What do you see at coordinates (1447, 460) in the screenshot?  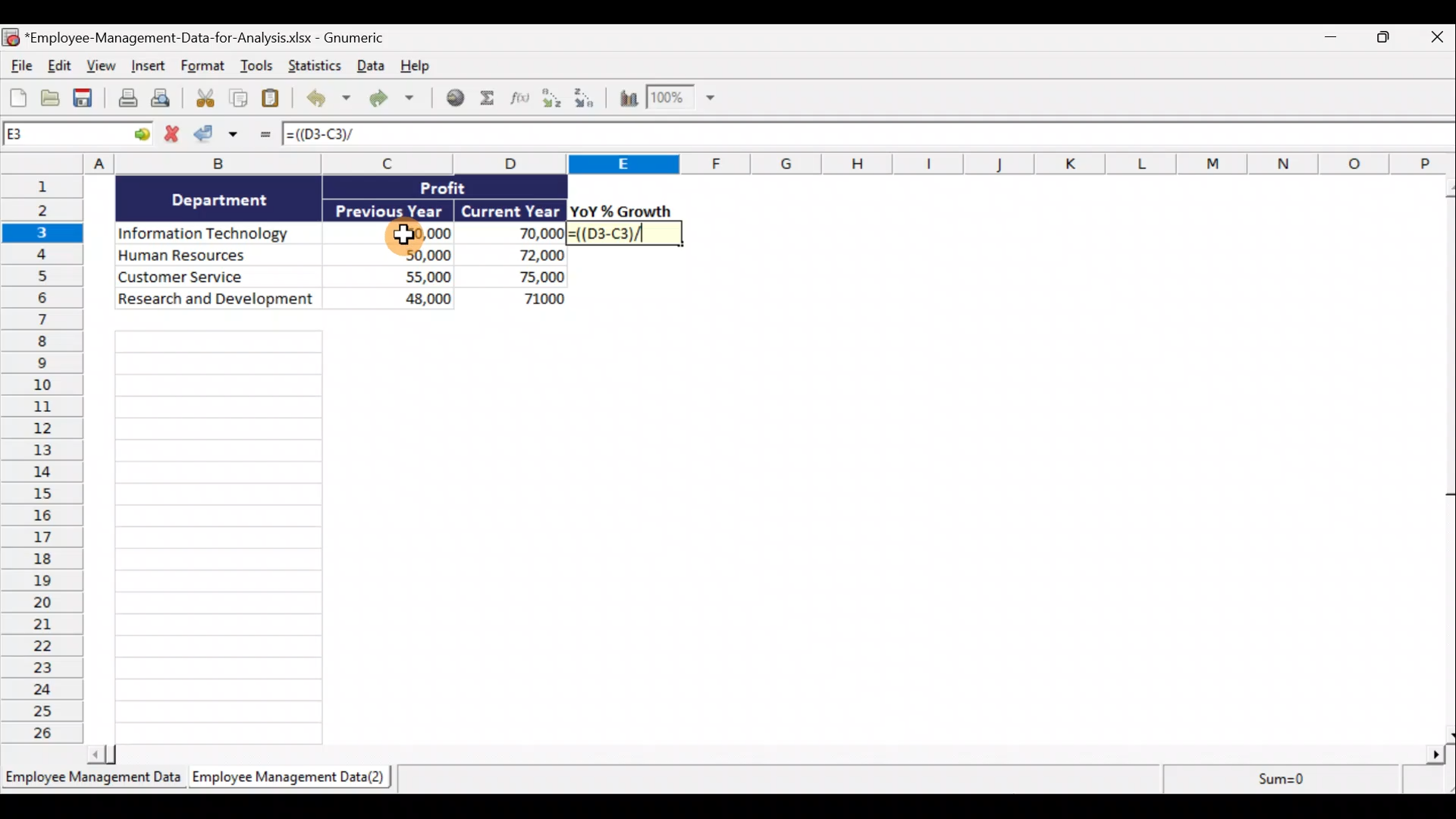 I see `Scroll bar` at bounding box center [1447, 460].